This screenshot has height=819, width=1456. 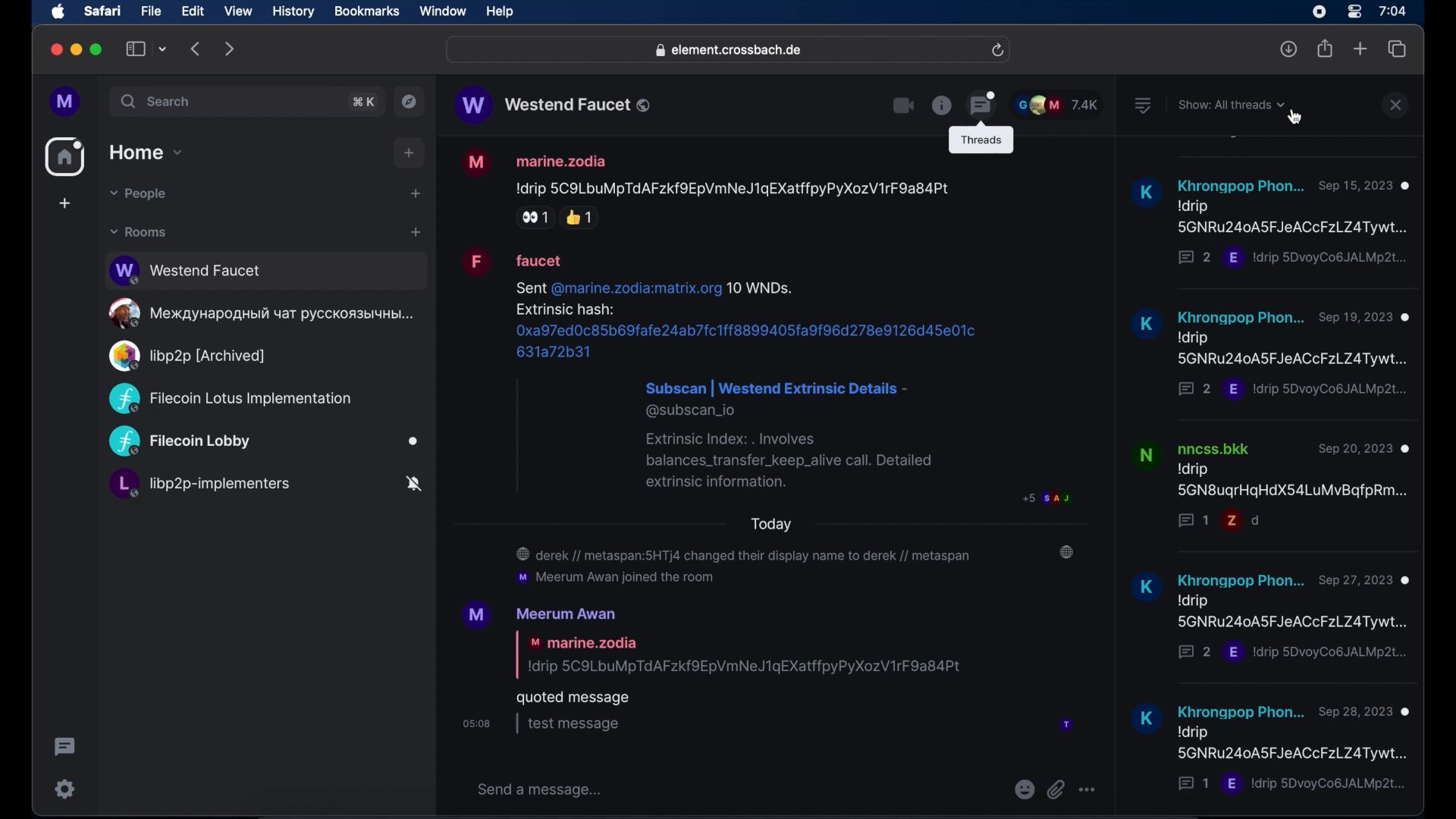 What do you see at coordinates (265, 268) in the screenshot?
I see `Westend Faucet` at bounding box center [265, 268].